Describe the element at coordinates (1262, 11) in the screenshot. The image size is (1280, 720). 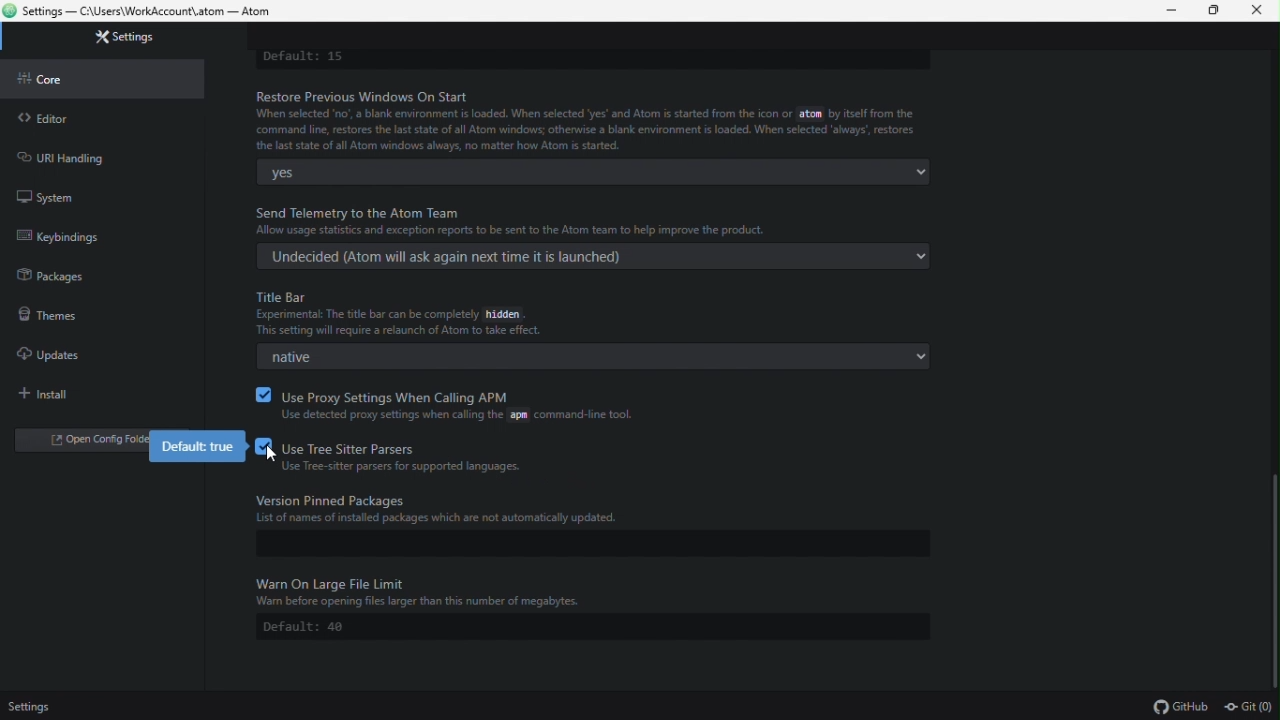
I see `close` at that location.